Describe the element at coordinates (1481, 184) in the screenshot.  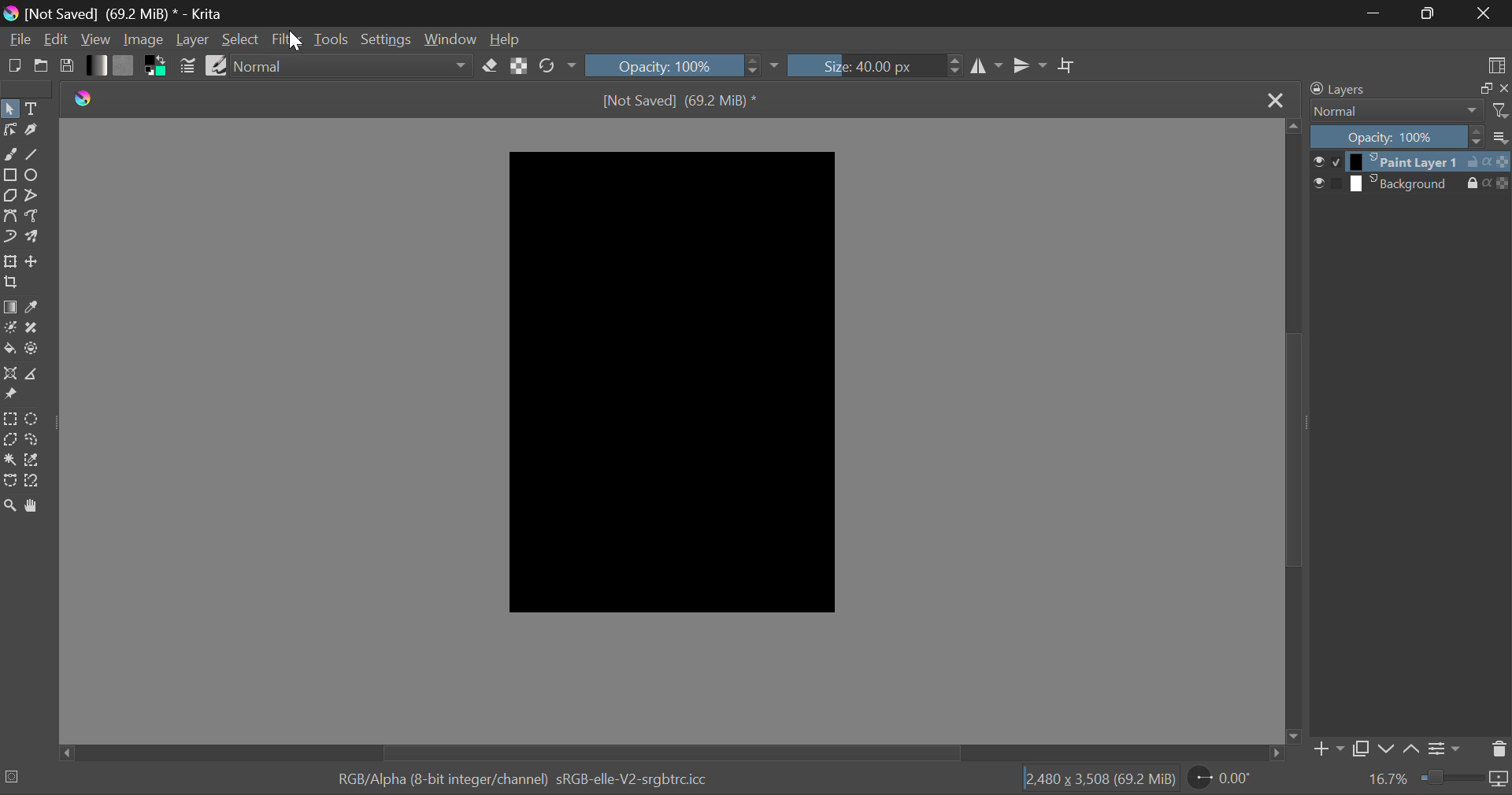
I see `alpha` at that location.